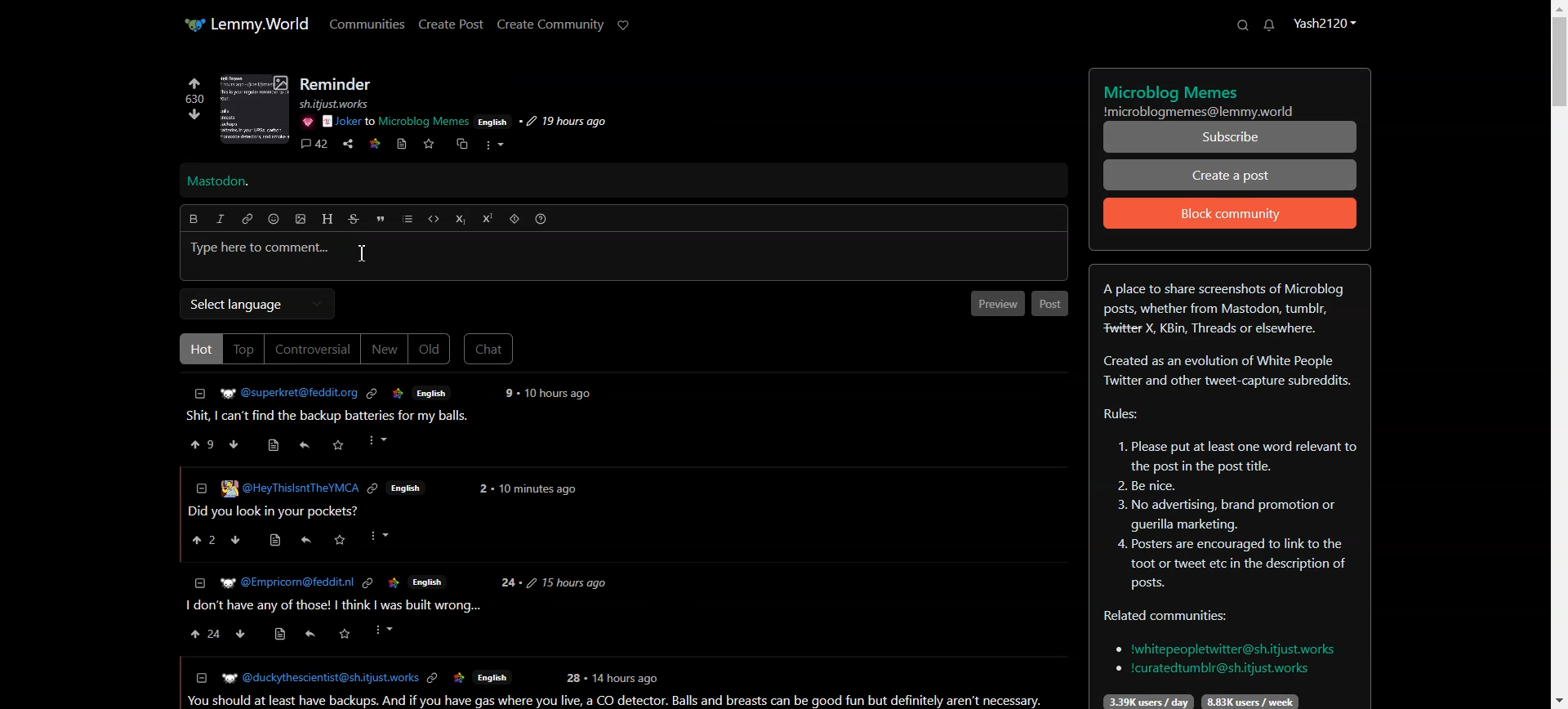 The width and height of the screenshot is (1568, 709). I want to click on , so click(399, 394).